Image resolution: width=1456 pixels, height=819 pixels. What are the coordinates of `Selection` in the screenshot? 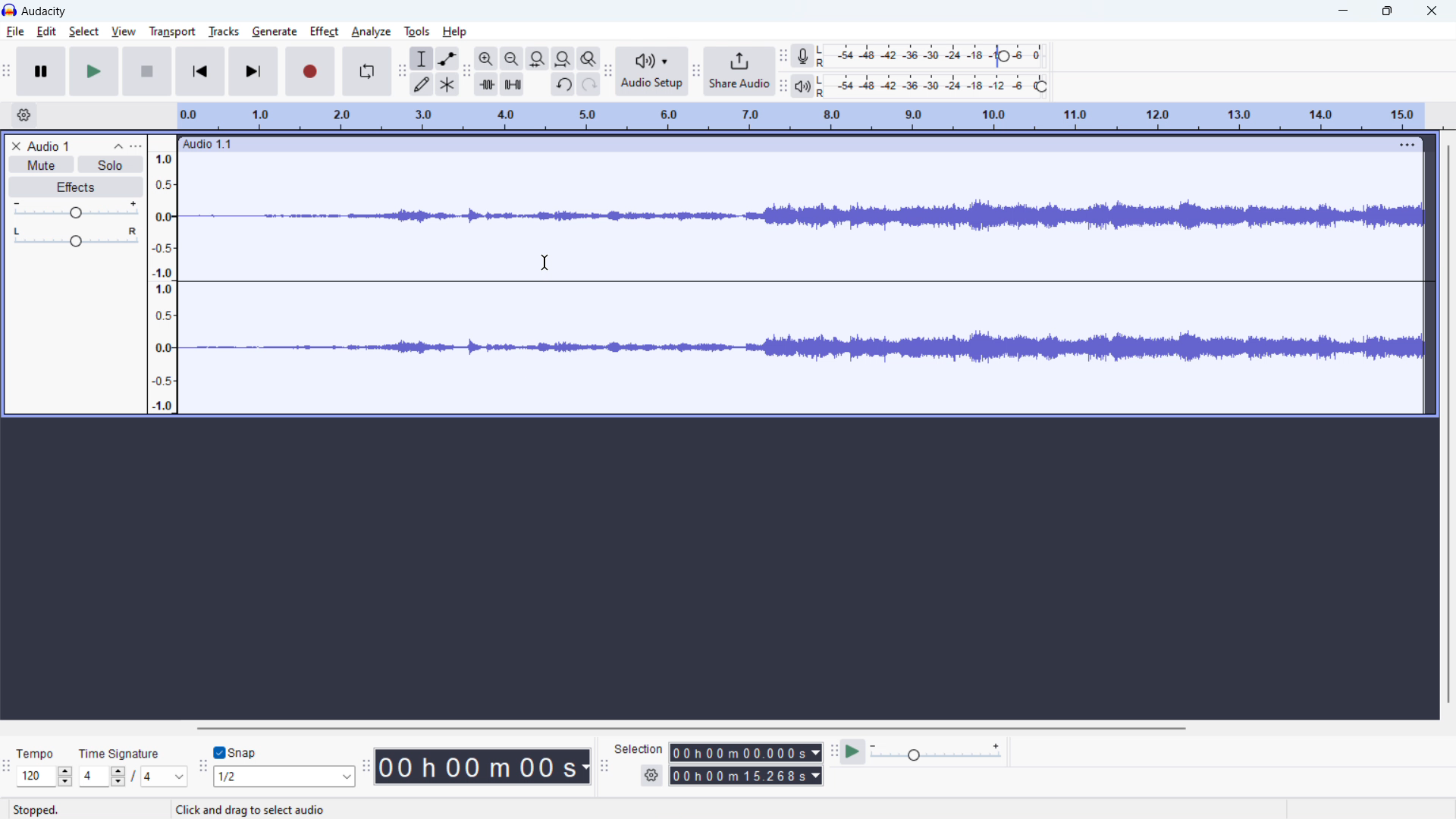 It's located at (639, 749).